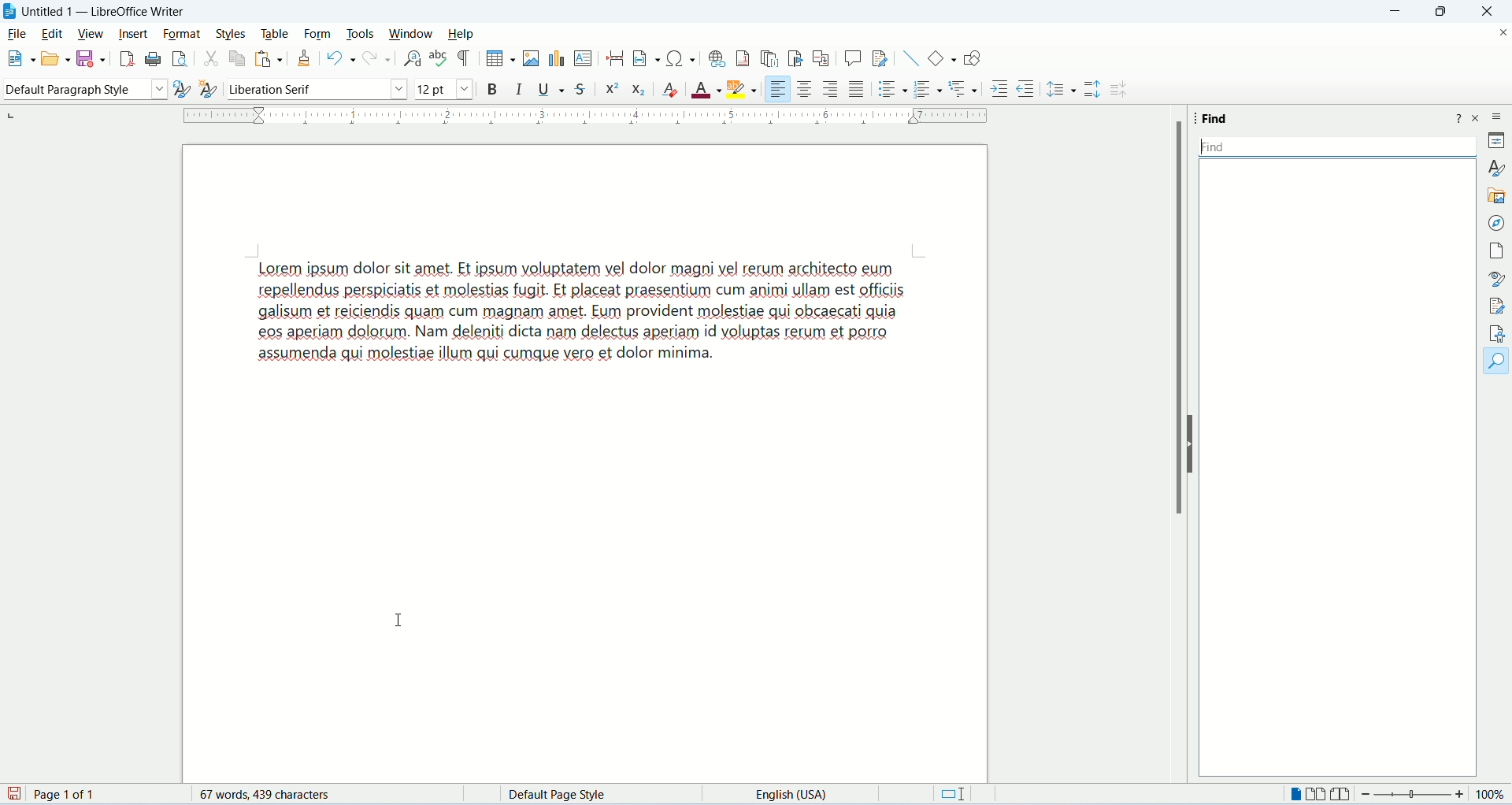 Image resolution: width=1512 pixels, height=805 pixels. Describe the element at coordinates (853, 57) in the screenshot. I see `insert comment` at that location.